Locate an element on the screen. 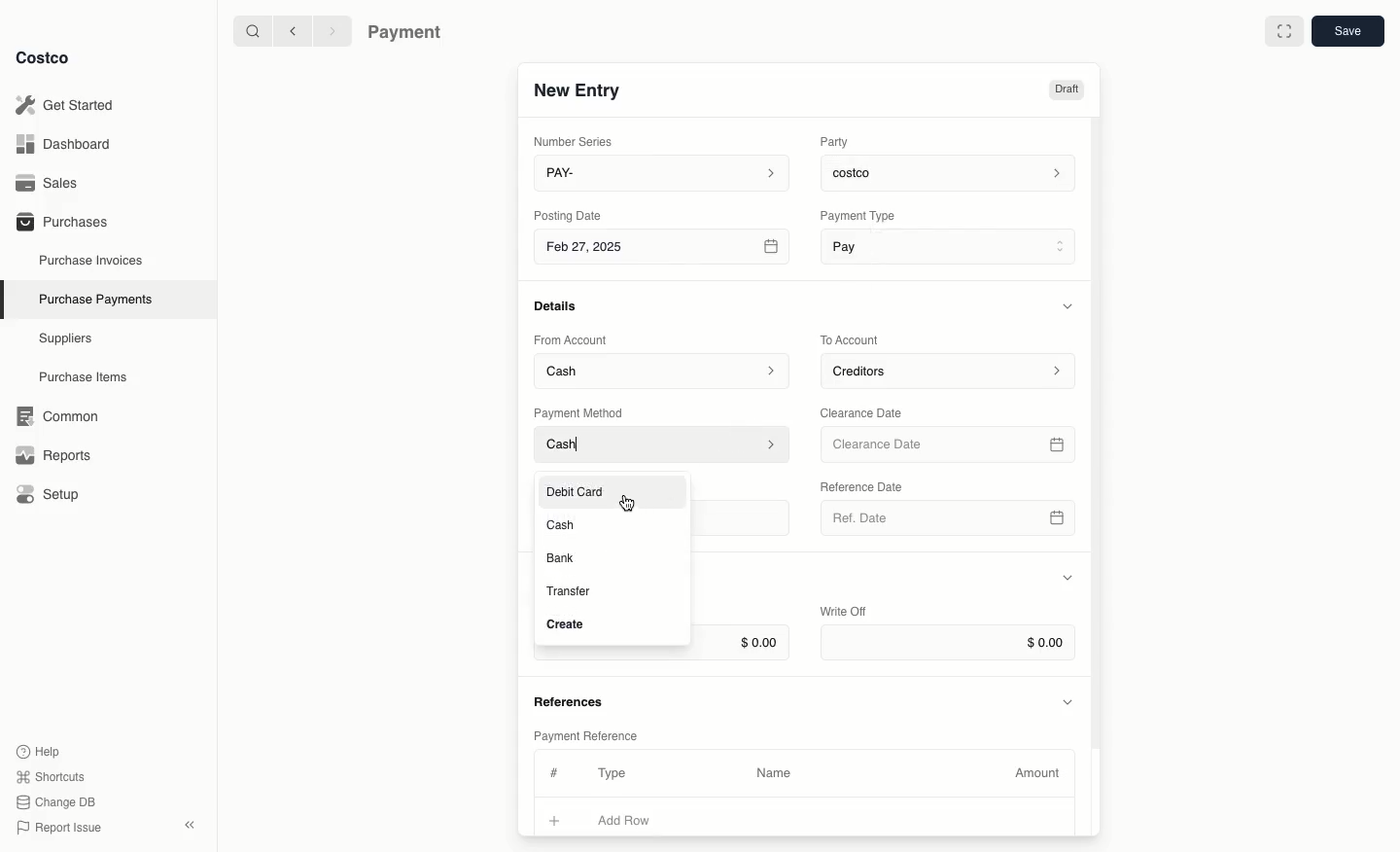 This screenshot has height=852, width=1400. Hide is located at coordinates (1067, 579).